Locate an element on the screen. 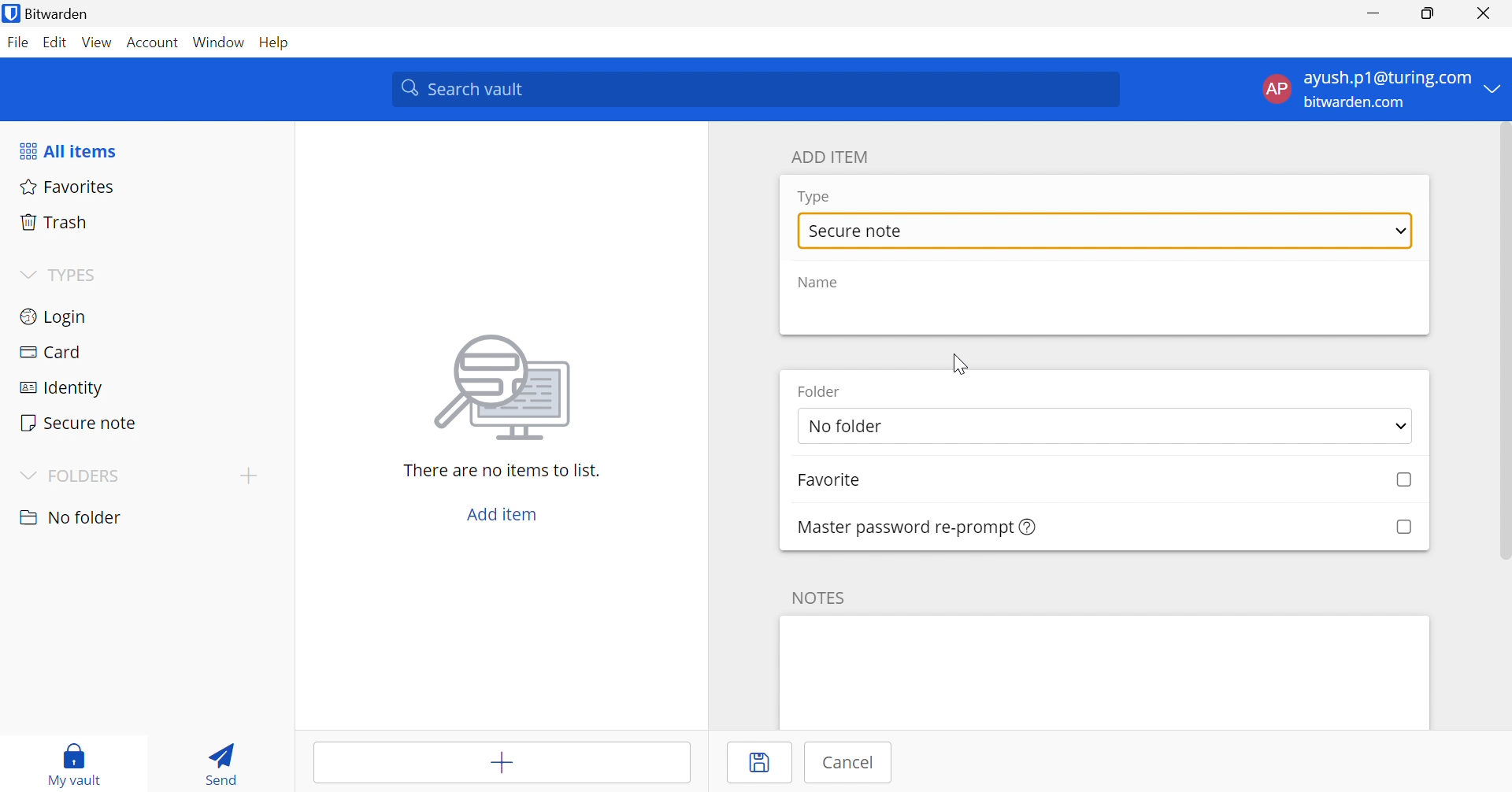 The height and width of the screenshot is (792, 1512). Add item is located at coordinates (502, 763).